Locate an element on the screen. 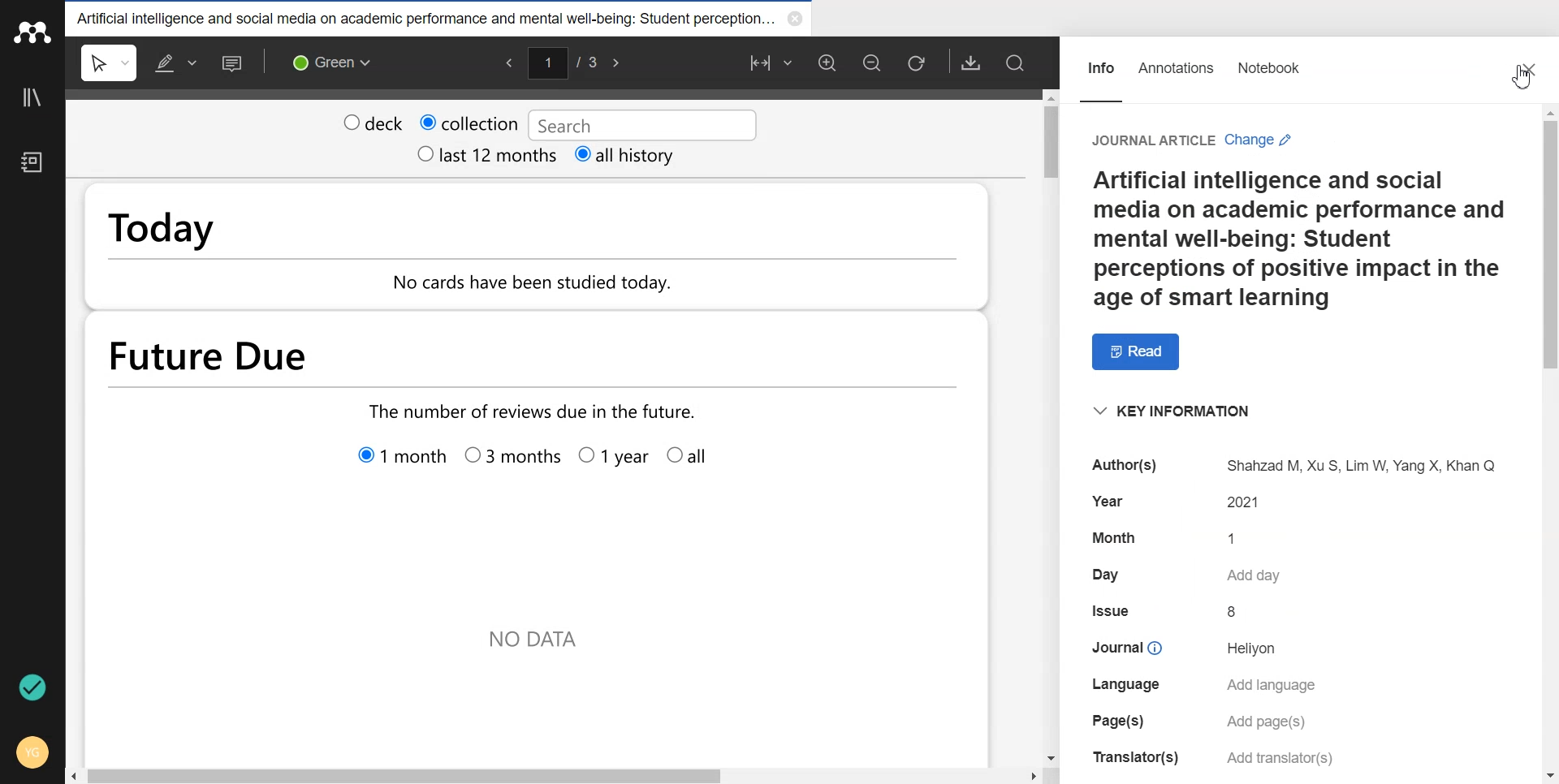 The width and height of the screenshot is (1559, 784). Zoom out is located at coordinates (871, 63).